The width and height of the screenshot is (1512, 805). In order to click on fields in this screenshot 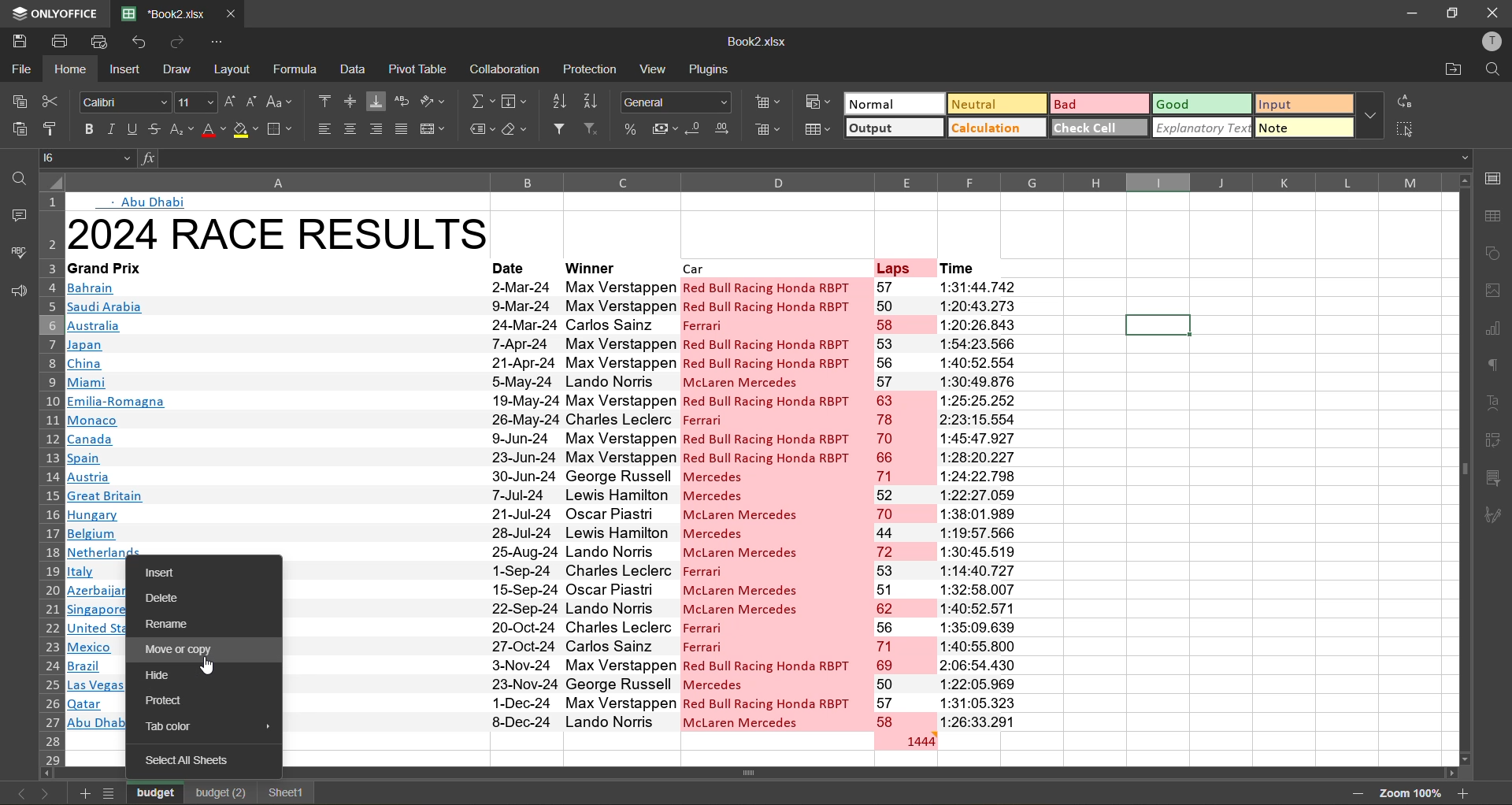, I will do `click(515, 102)`.